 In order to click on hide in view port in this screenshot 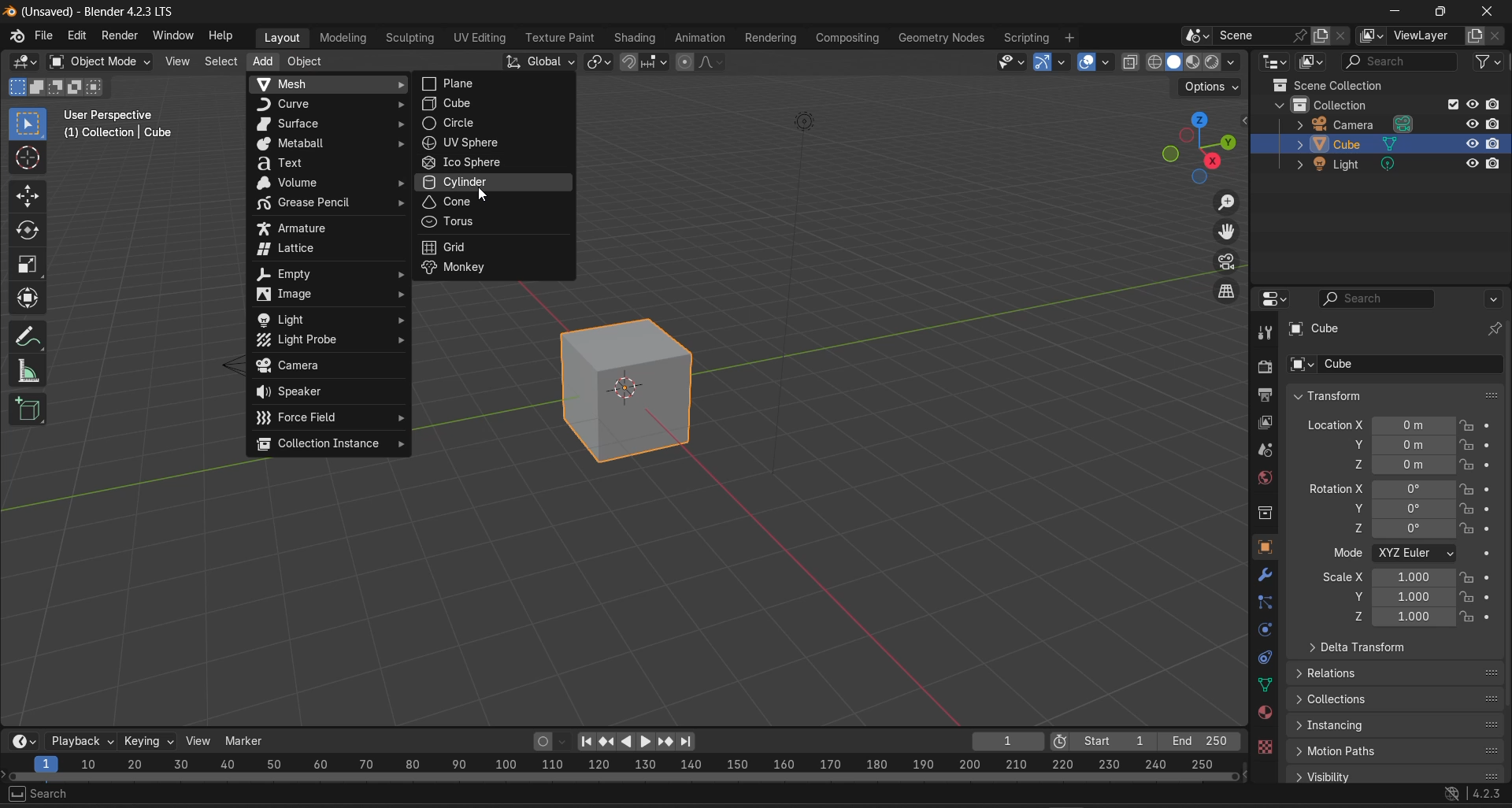, I will do `click(1473, 105)`.